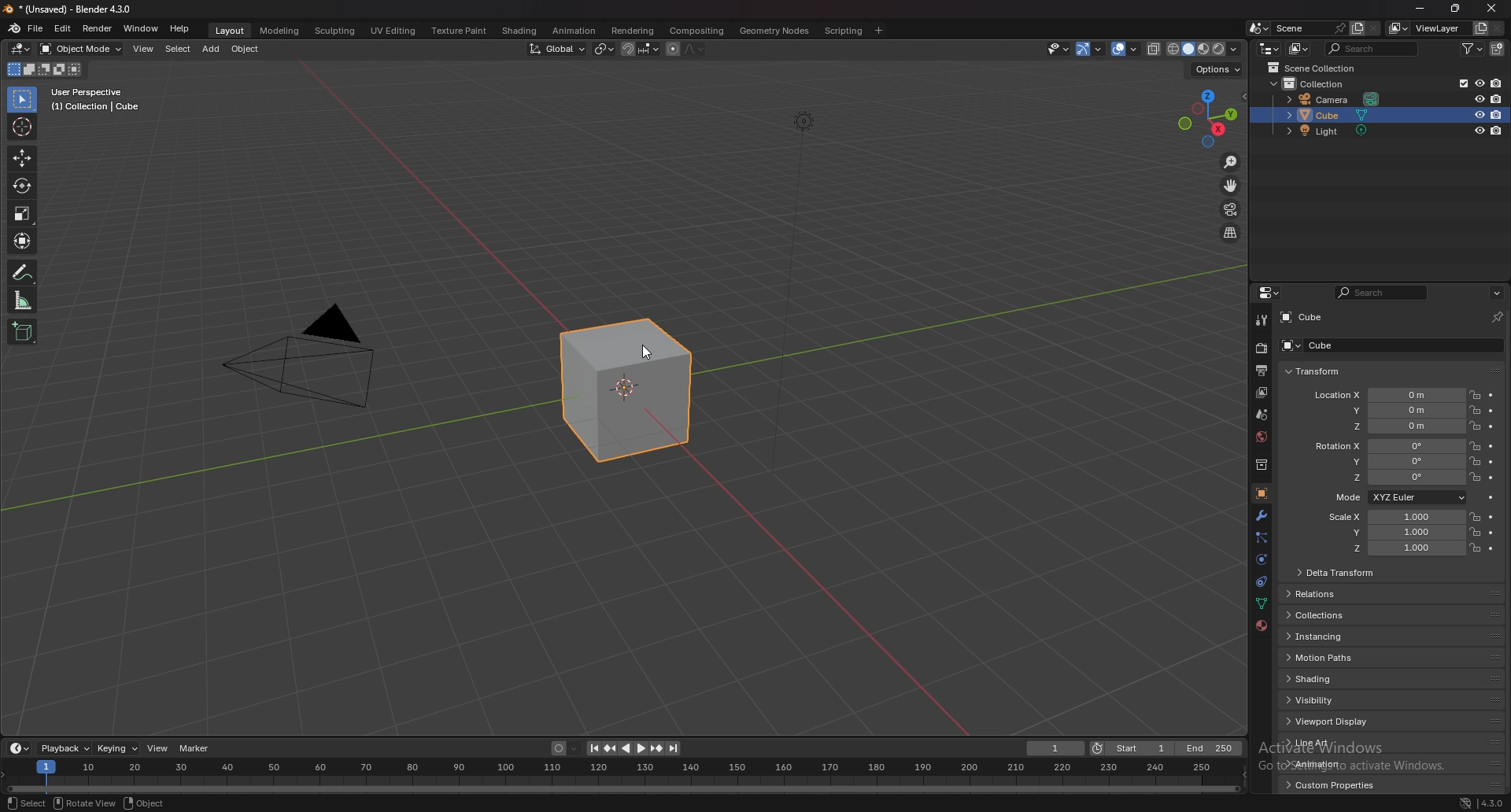 Image resolution: width=1511 pixels, height=812 pixels. Describe the element at coordinates (247, 49) in the screenshot. I see `object` at that location.